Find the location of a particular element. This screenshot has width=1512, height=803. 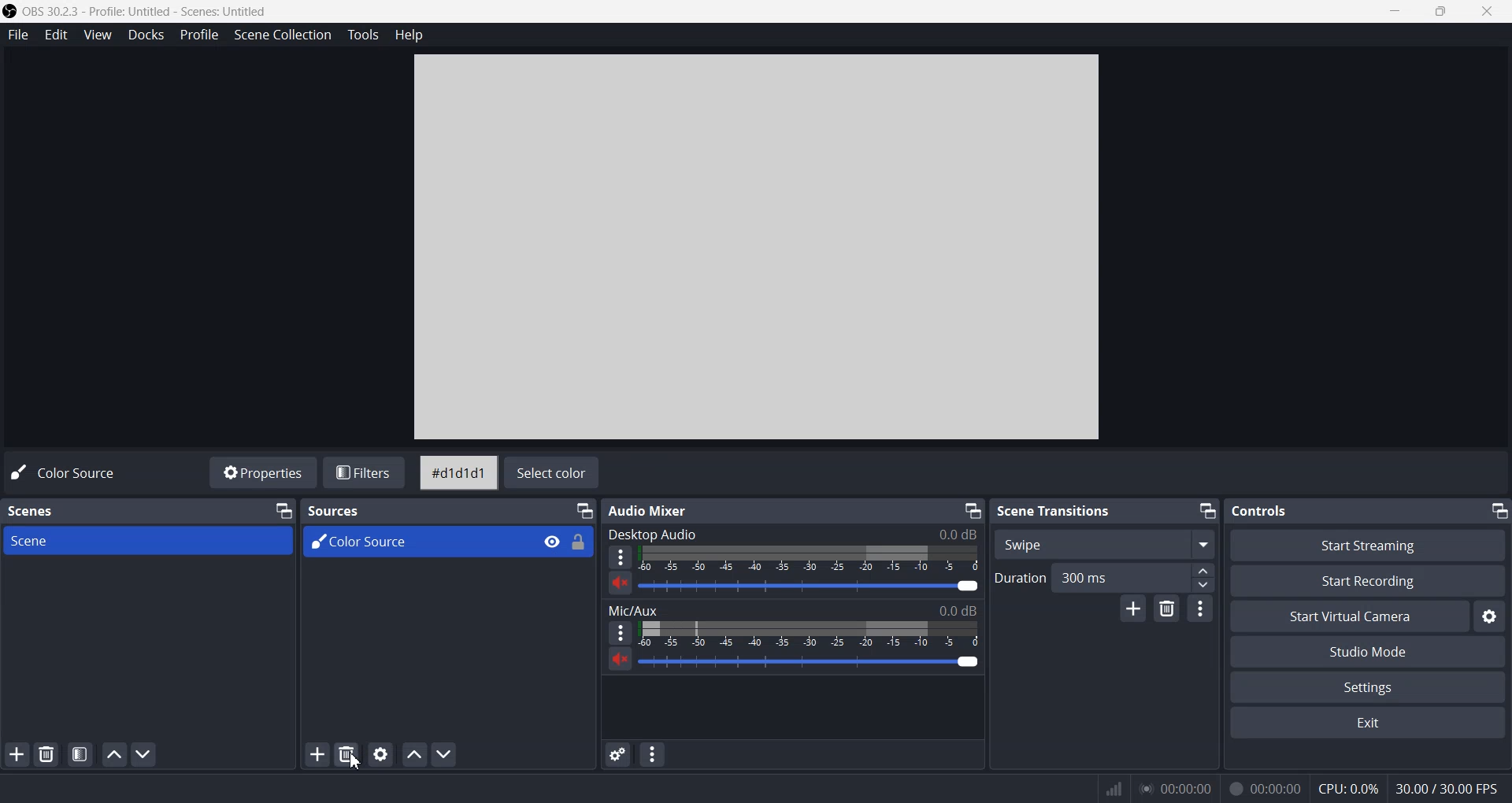

More is located at coordinates (621, 632).